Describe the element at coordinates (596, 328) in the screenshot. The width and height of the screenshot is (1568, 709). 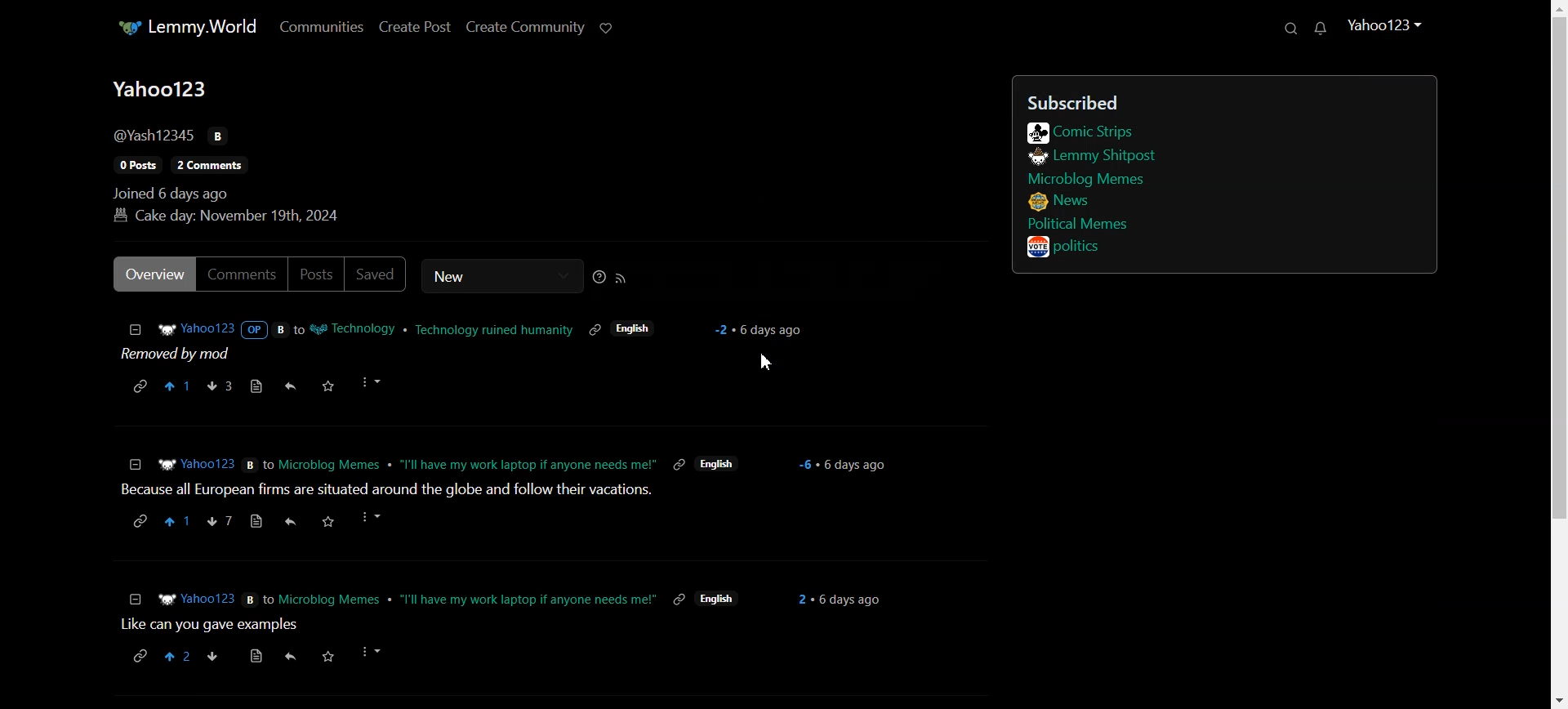
I see `link` at that location.